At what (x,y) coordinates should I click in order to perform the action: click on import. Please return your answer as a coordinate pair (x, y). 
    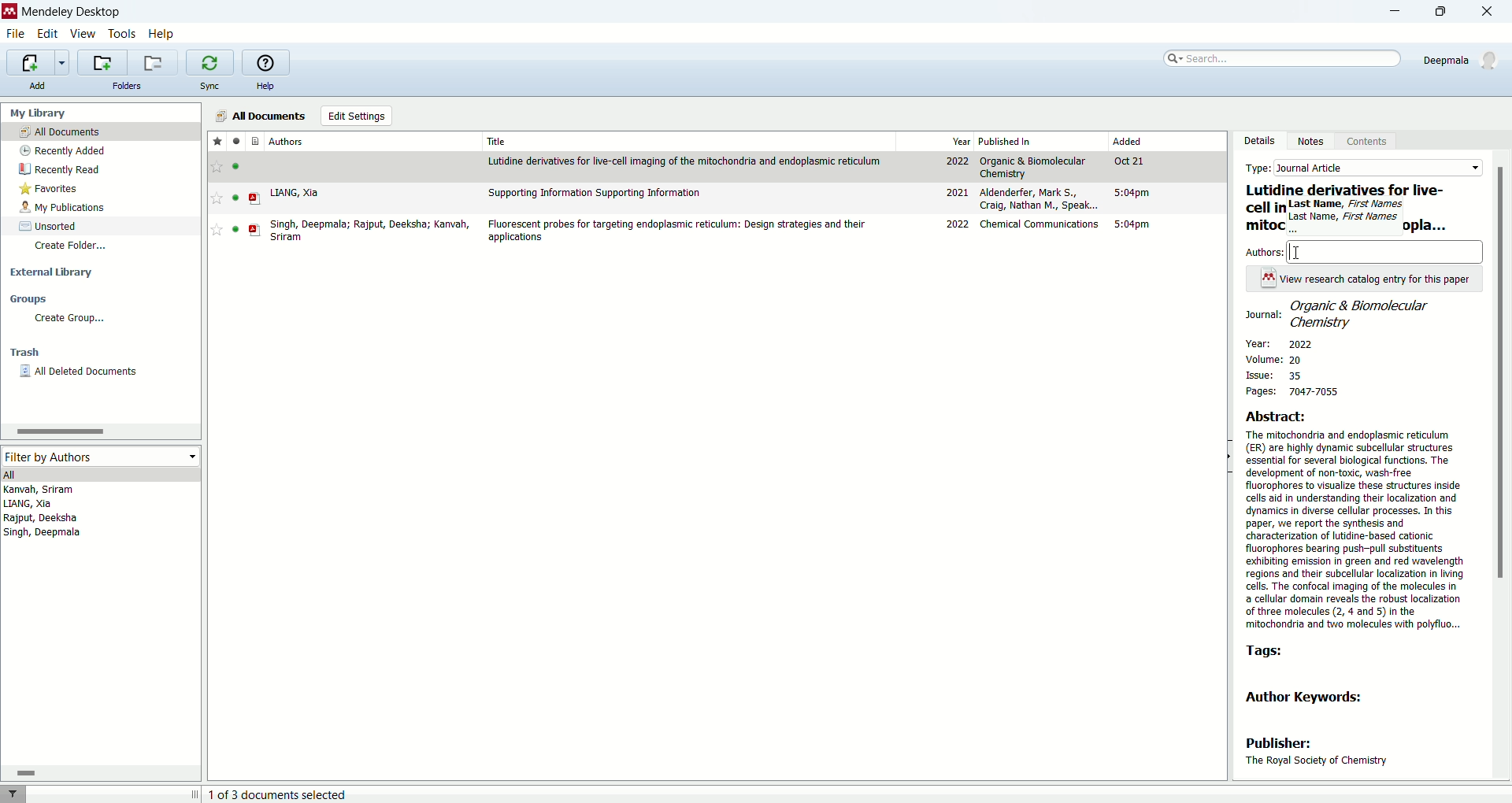
    Looking at the image, I should click on (38, 62).